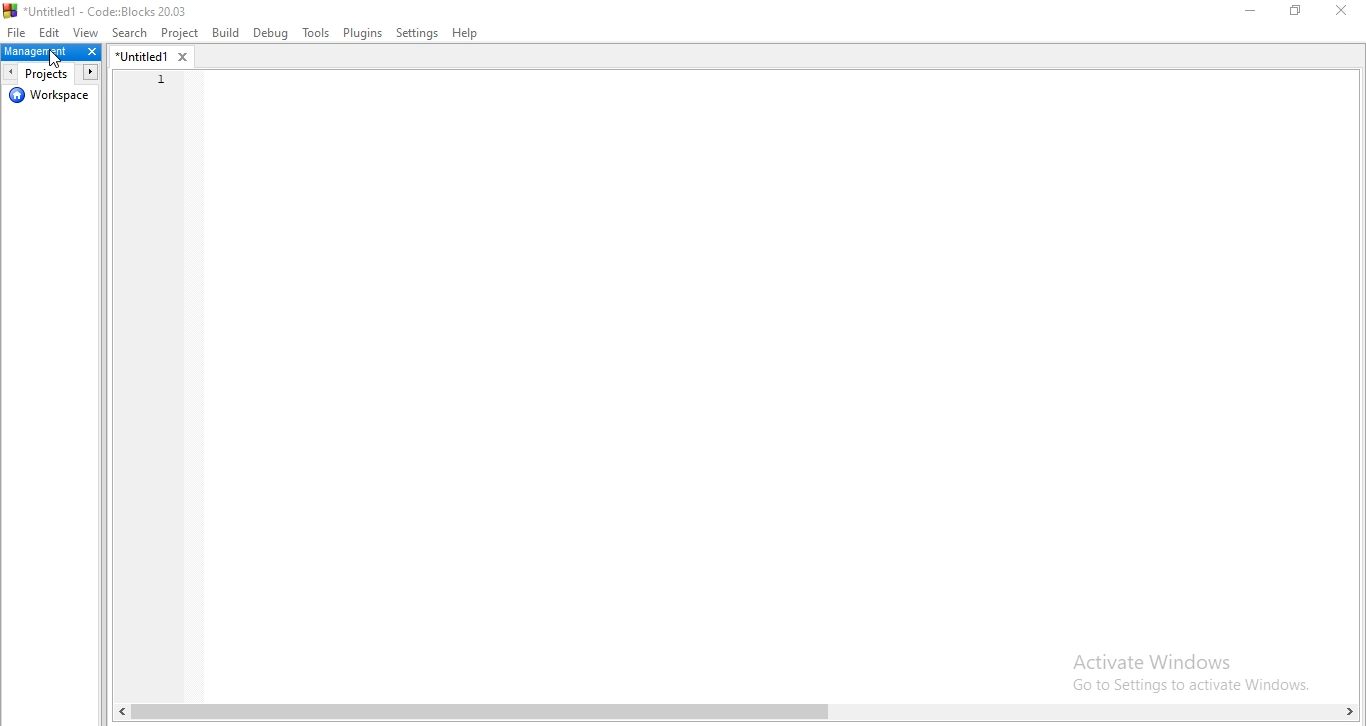  Describe the element at coordinates (1243, 14) in the screenshot. I see `Minimise` at that location.